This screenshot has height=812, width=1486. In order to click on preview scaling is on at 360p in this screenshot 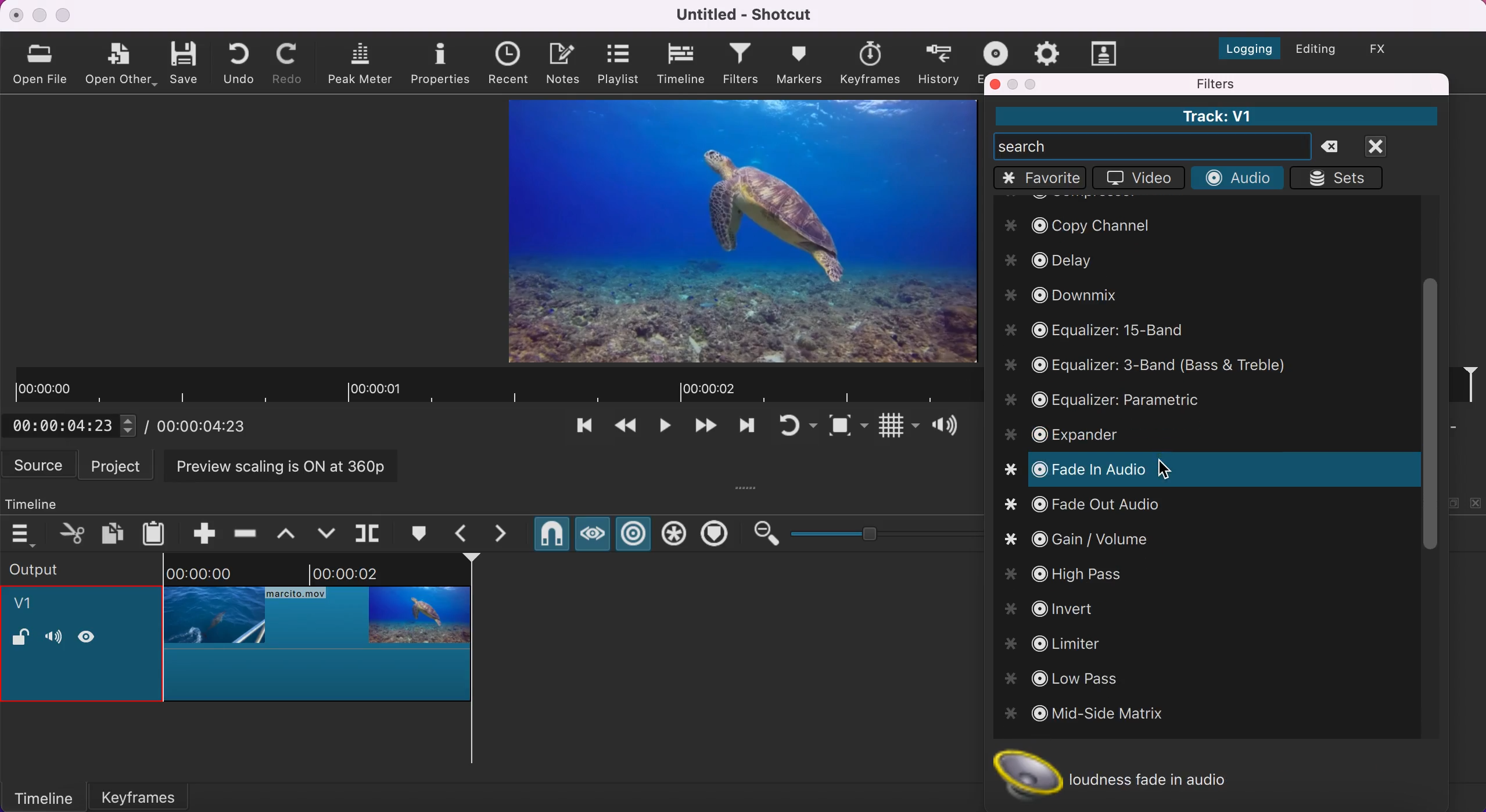, I will do `click(288, 465)`.